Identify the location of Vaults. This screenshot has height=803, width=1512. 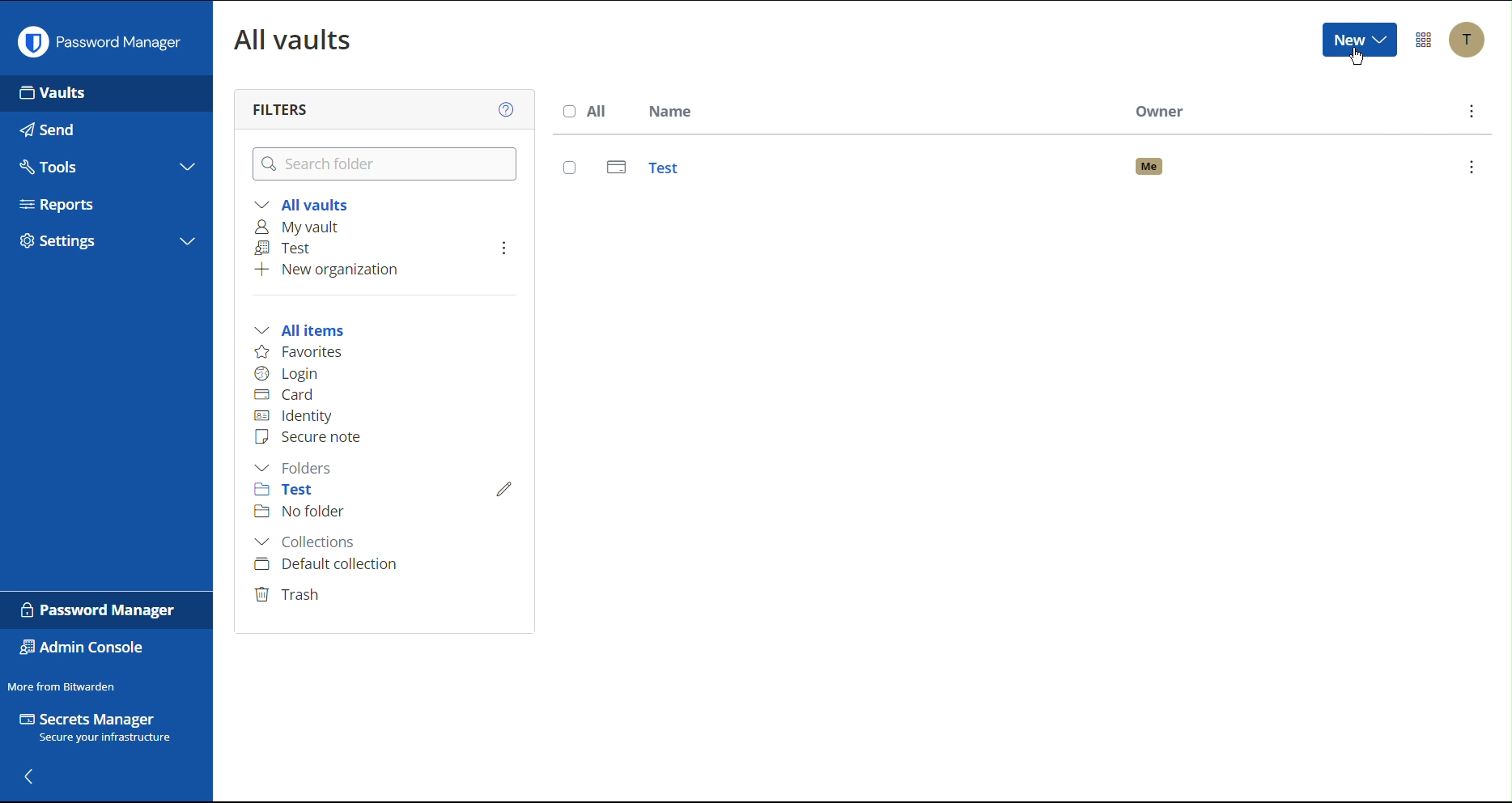
(104, 93).